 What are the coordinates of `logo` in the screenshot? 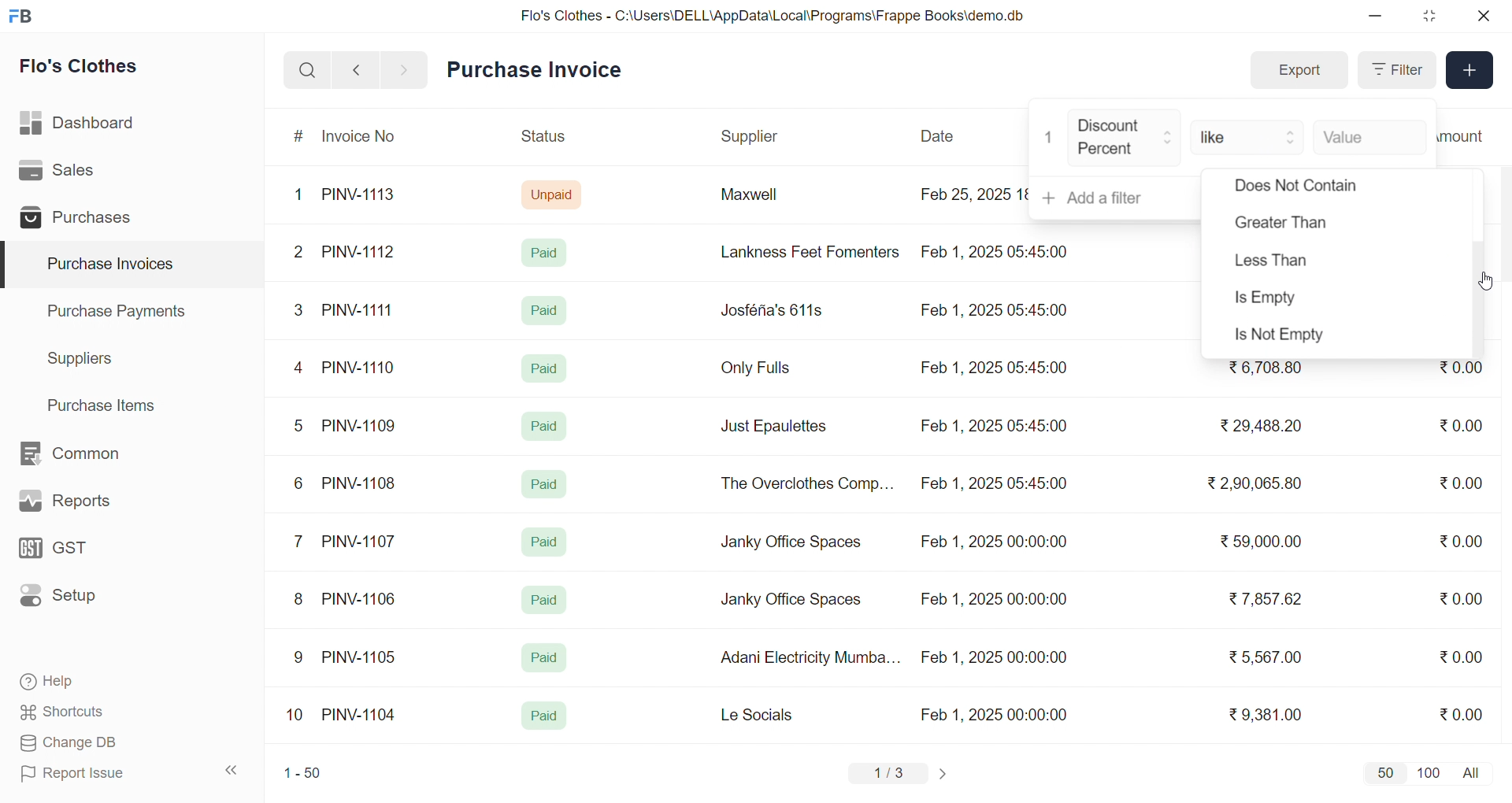 It's located at (24, 17).